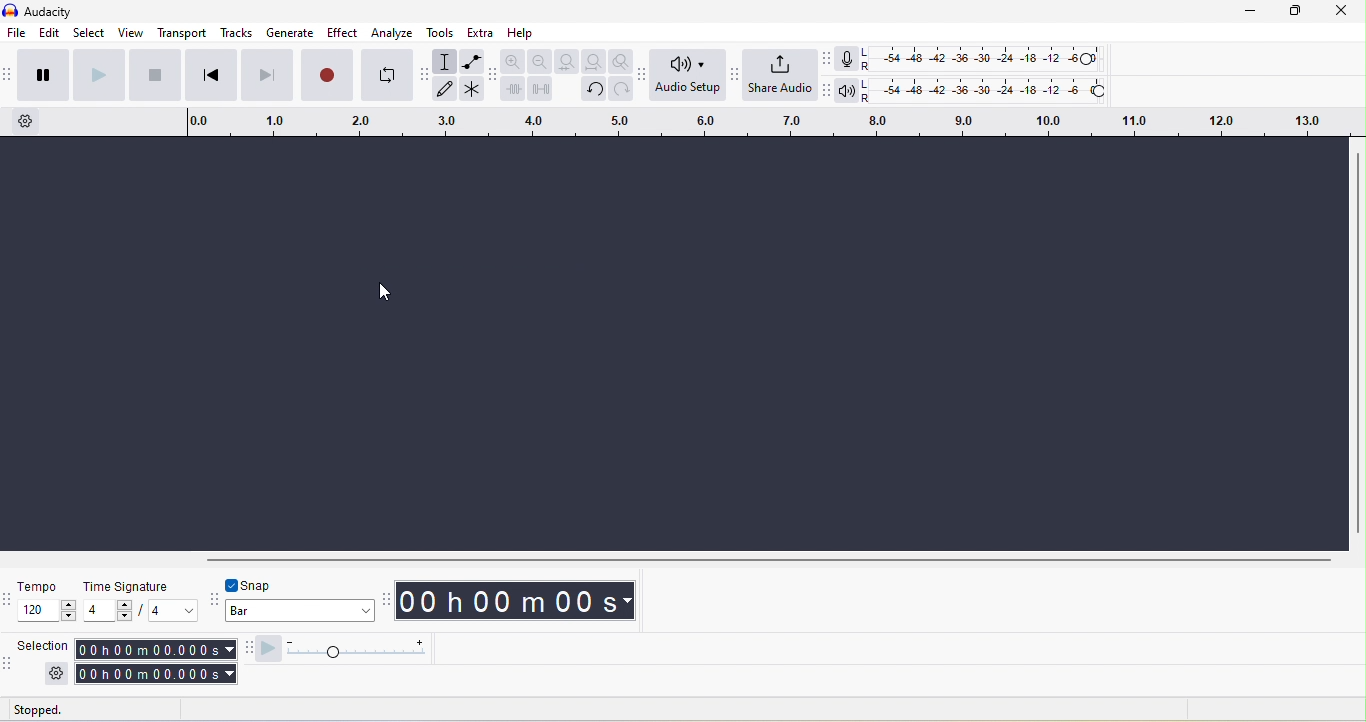 The image size is (1366, 722). What do you see at coordinates (473, 61) in the screenshot?
I see `envelop tool` at bounding box center [473, 61].